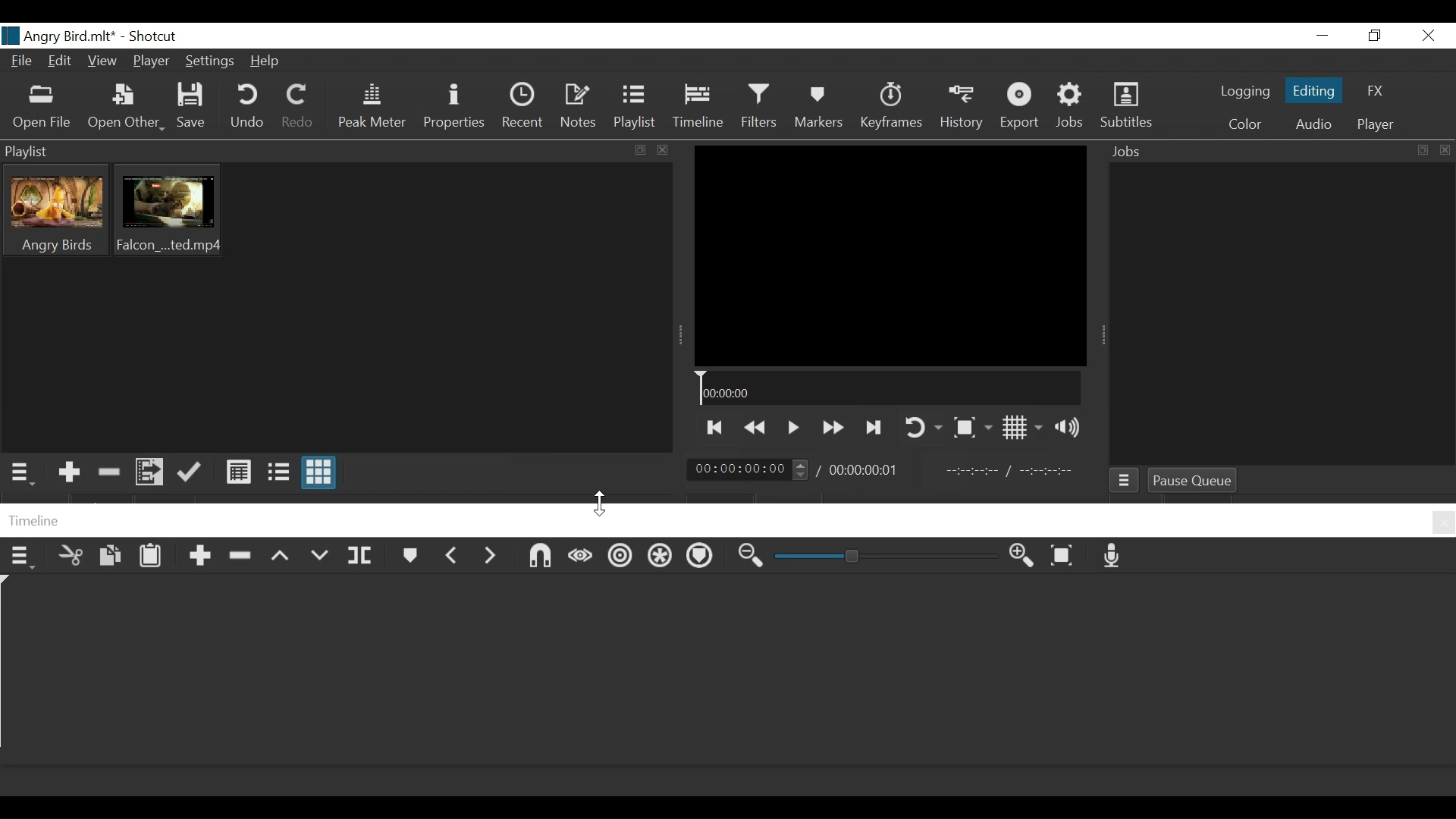  I want to click on Cut, so click(71, 557).